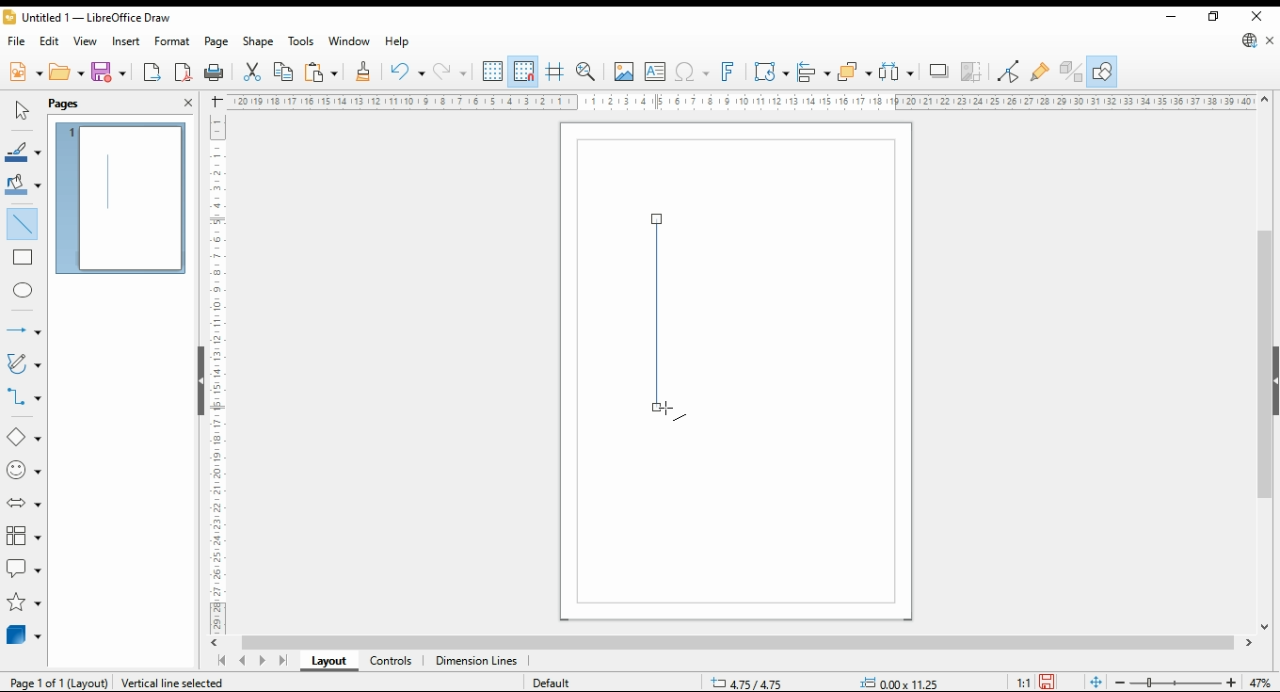 Image resolution: width=1280 pixels, height=692 pixels. What do you see at coordinates (123, 195) in the screenshot?
I see `page 1` at bounding box center [123, 195].